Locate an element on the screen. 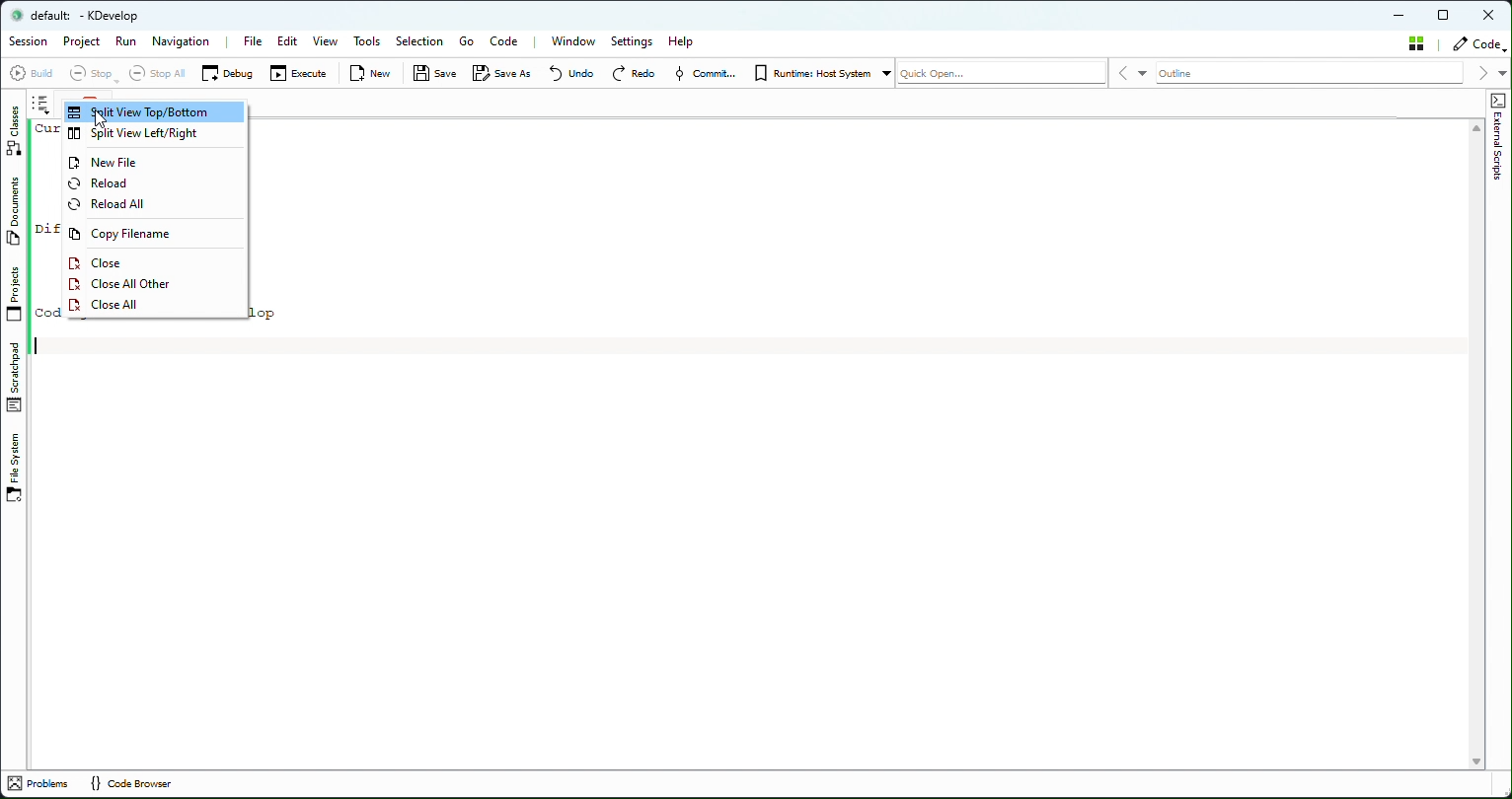  Problem is located at coordinates (42, 784).